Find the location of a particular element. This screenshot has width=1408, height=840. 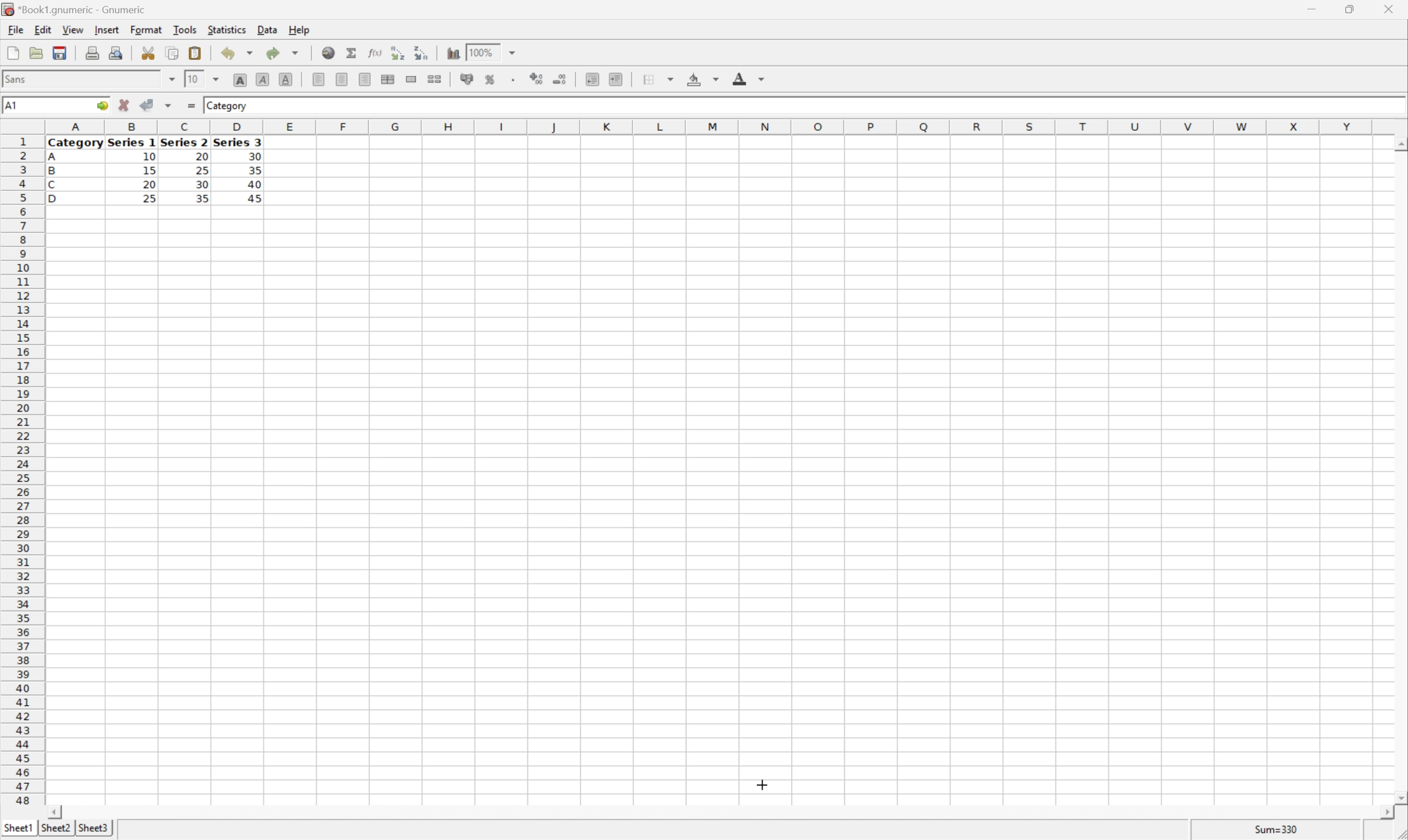

Accept changes is located at coordinates (145, 104).